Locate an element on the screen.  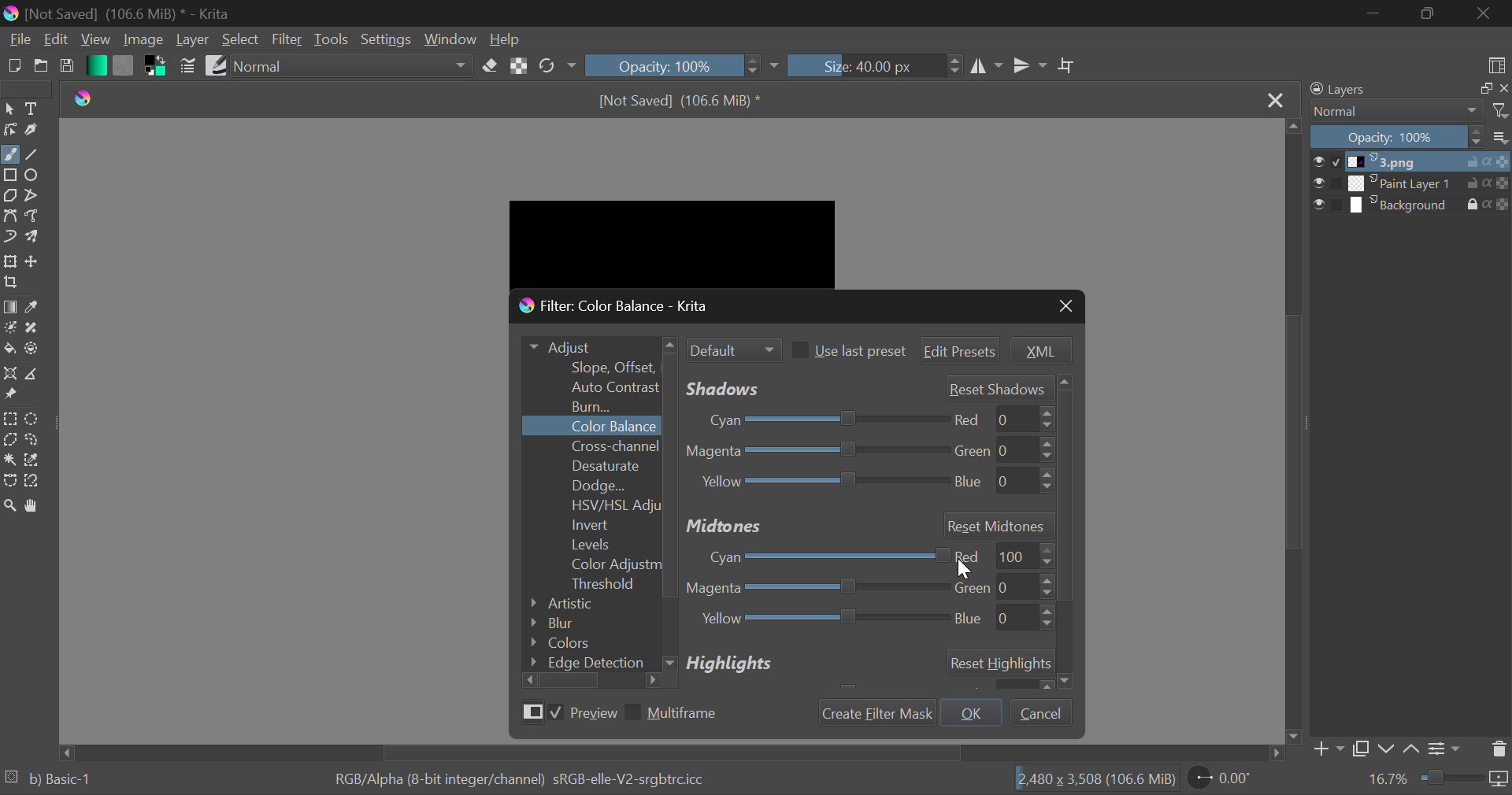
Close is located at coordinates (1482, 13).